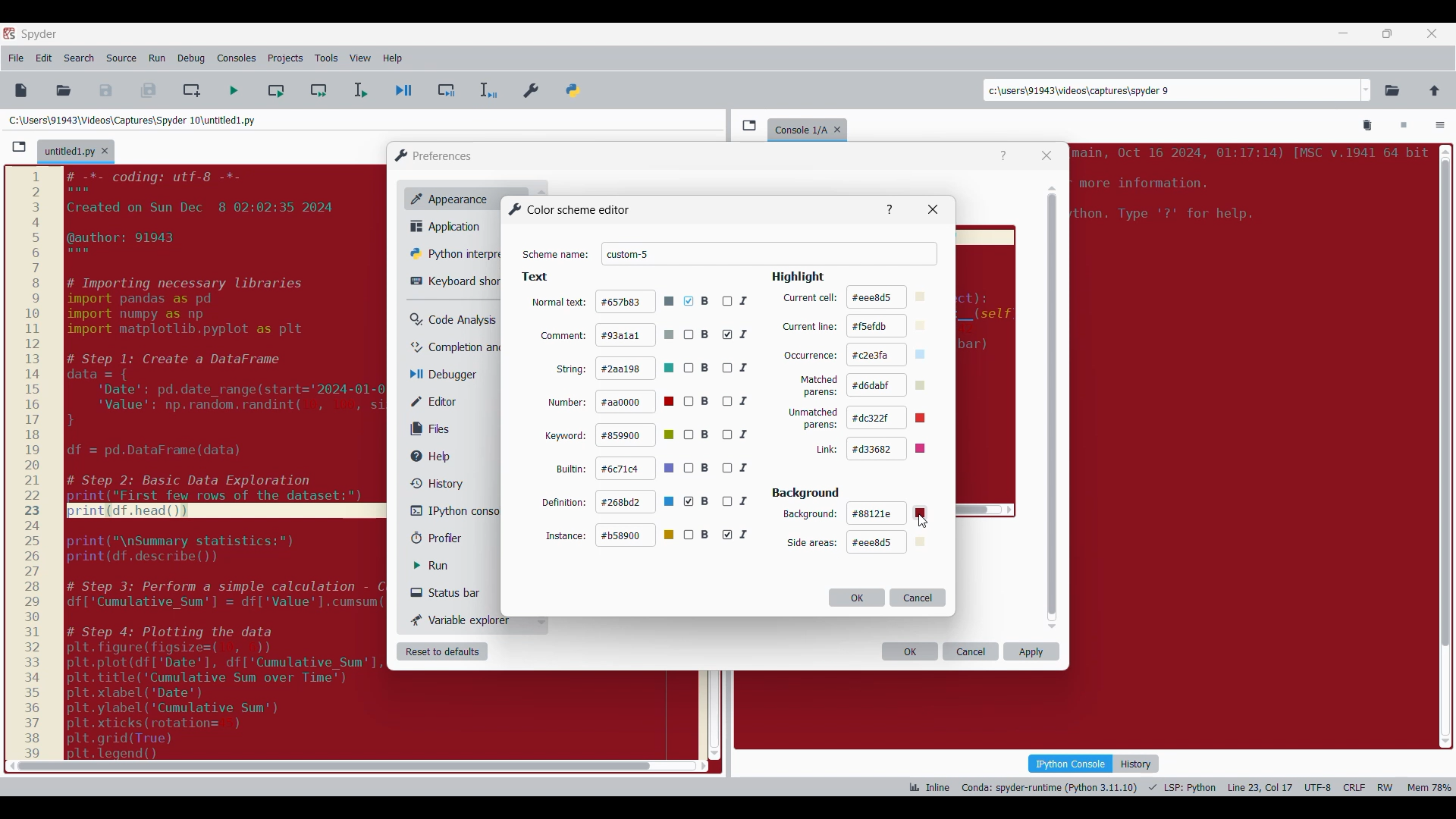 This screenshot has height=819, width=1456. I want to click on I, so click(736, 334).